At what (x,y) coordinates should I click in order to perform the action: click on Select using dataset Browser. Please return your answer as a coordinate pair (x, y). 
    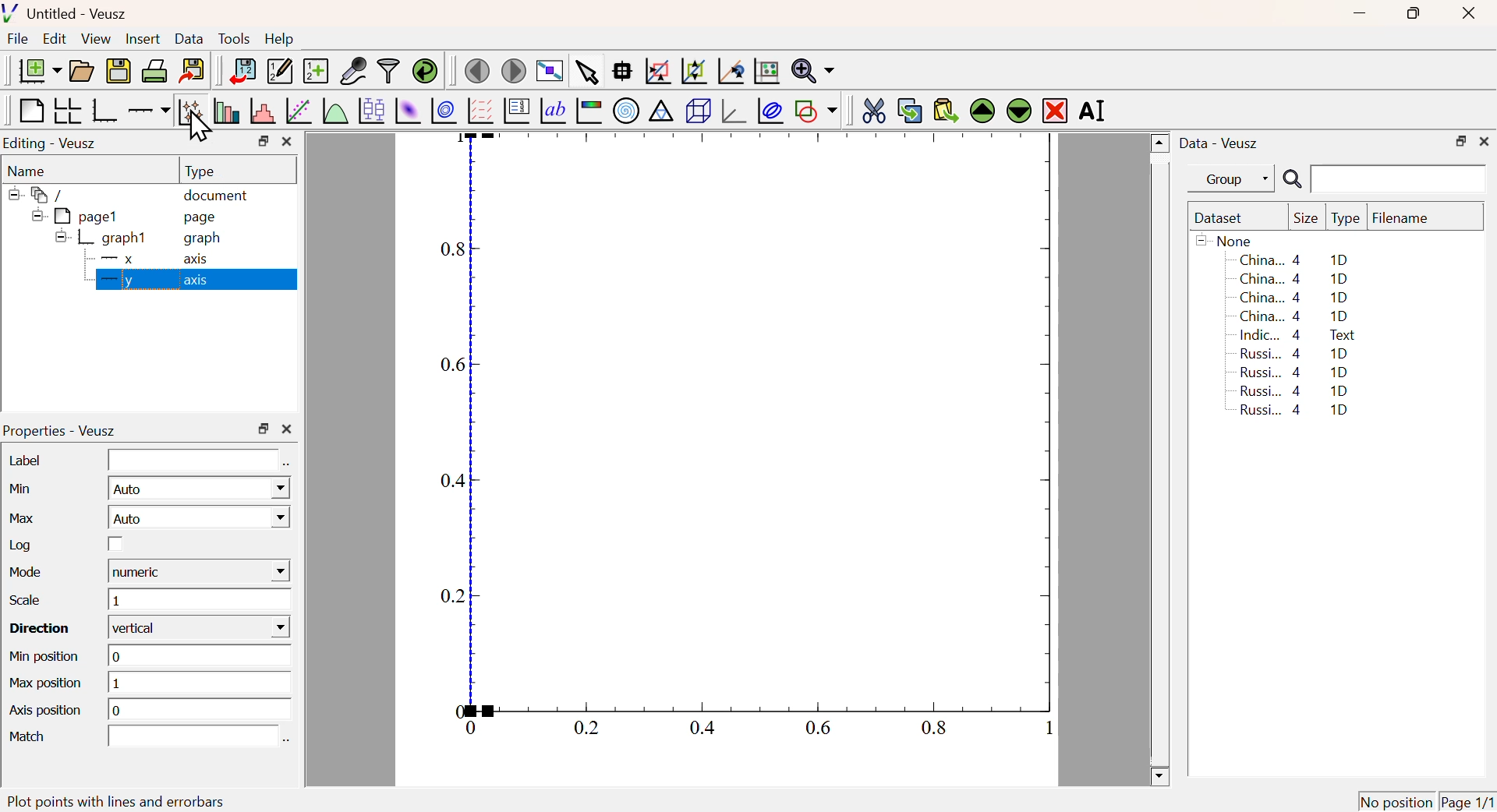
    Looking at the image, I should click on (286, 466).